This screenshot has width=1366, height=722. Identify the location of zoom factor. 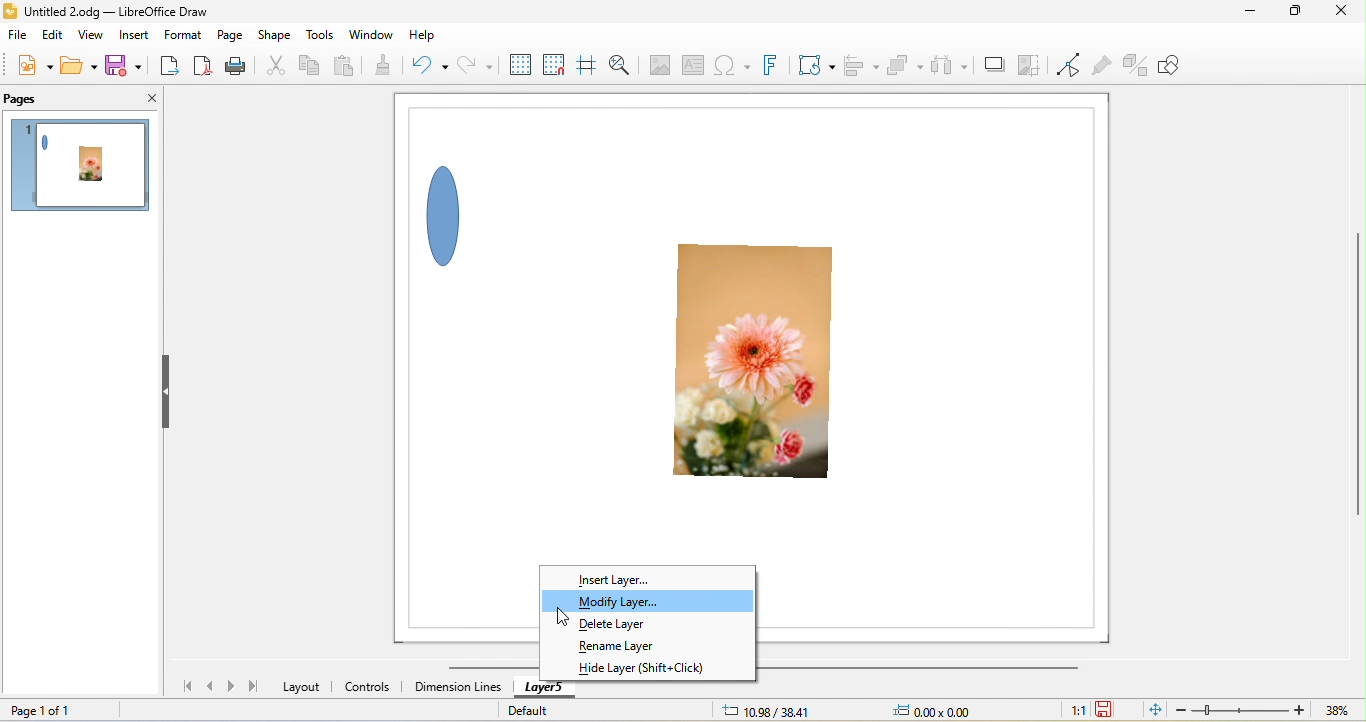
(1337, 710).